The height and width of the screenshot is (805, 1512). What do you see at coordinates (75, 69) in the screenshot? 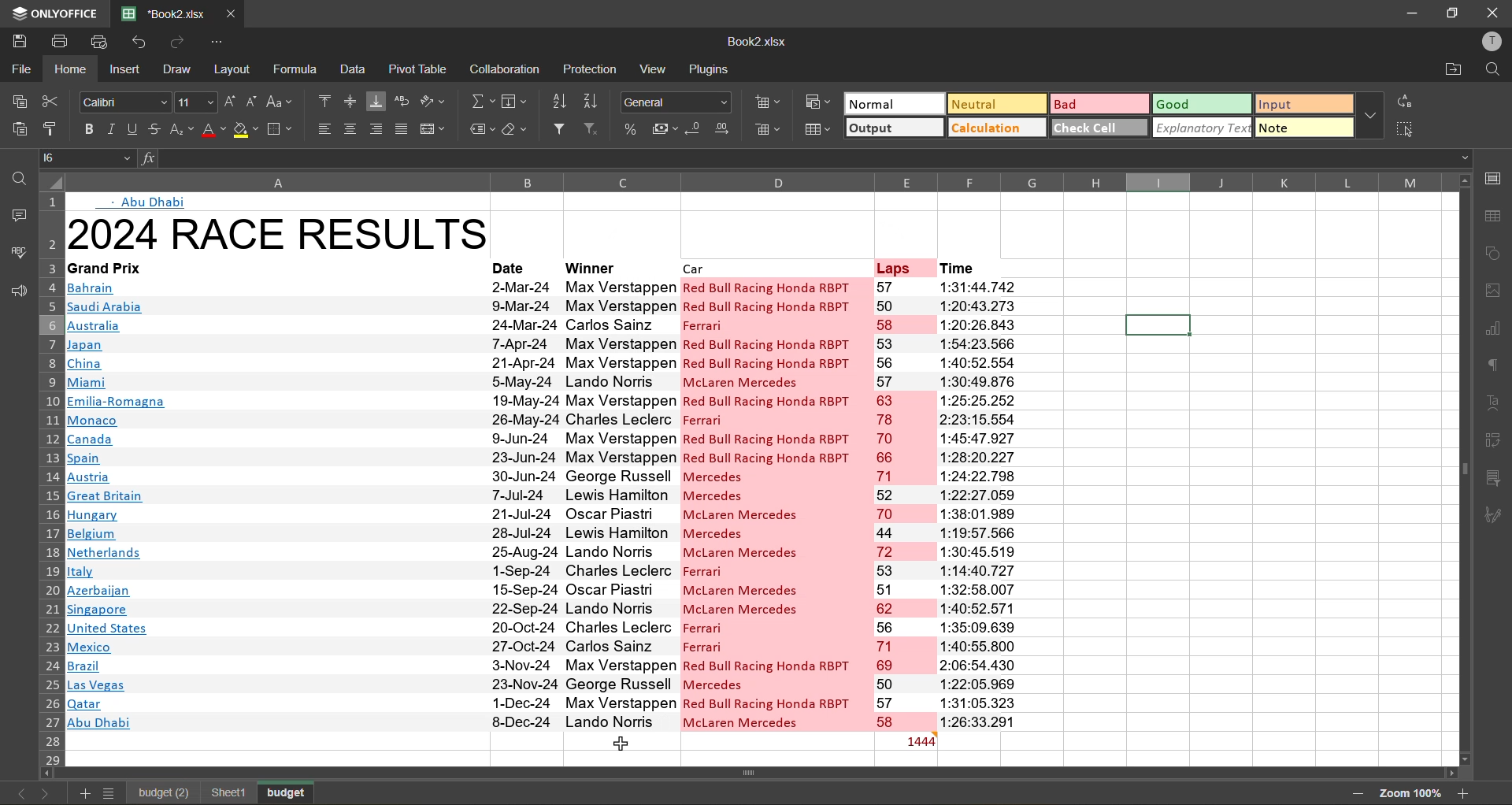
I see `home` at bounding box center [75, 69].